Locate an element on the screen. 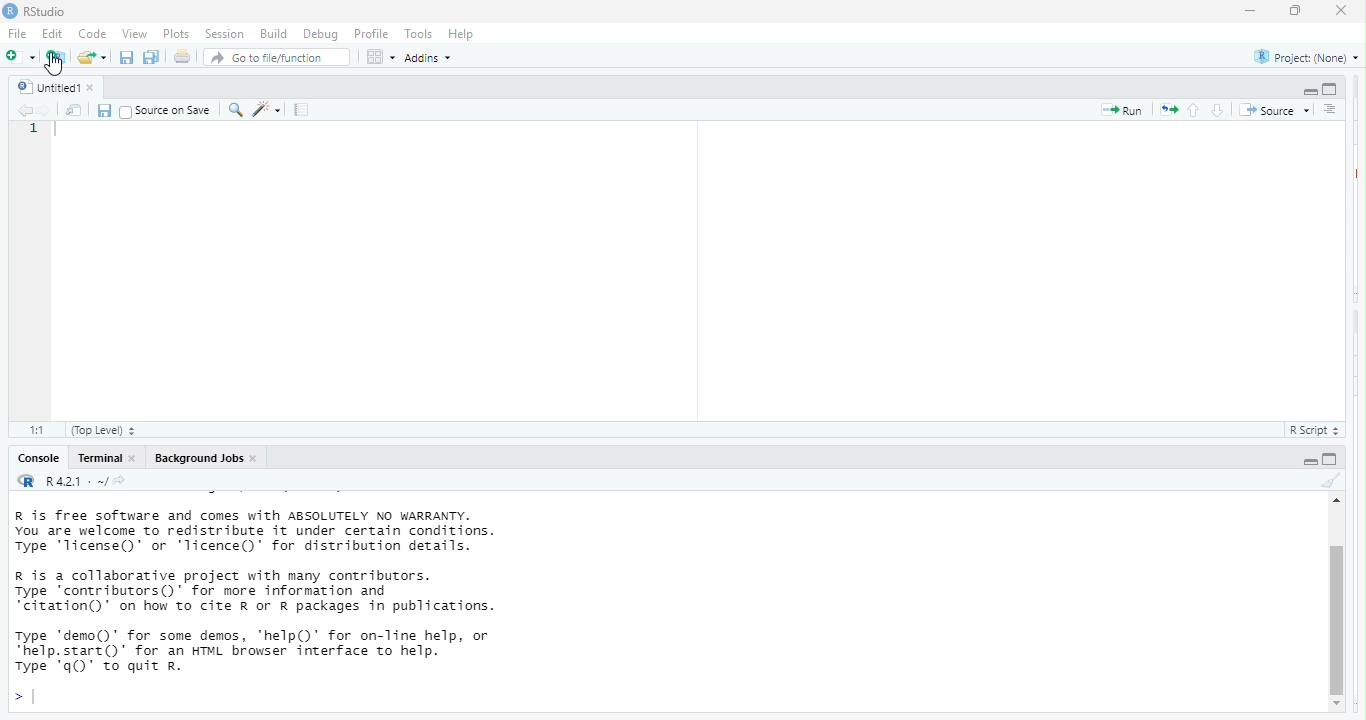 The height and width of the screenshot is (720, 1366). 1 is located at coordinates (34, 131).